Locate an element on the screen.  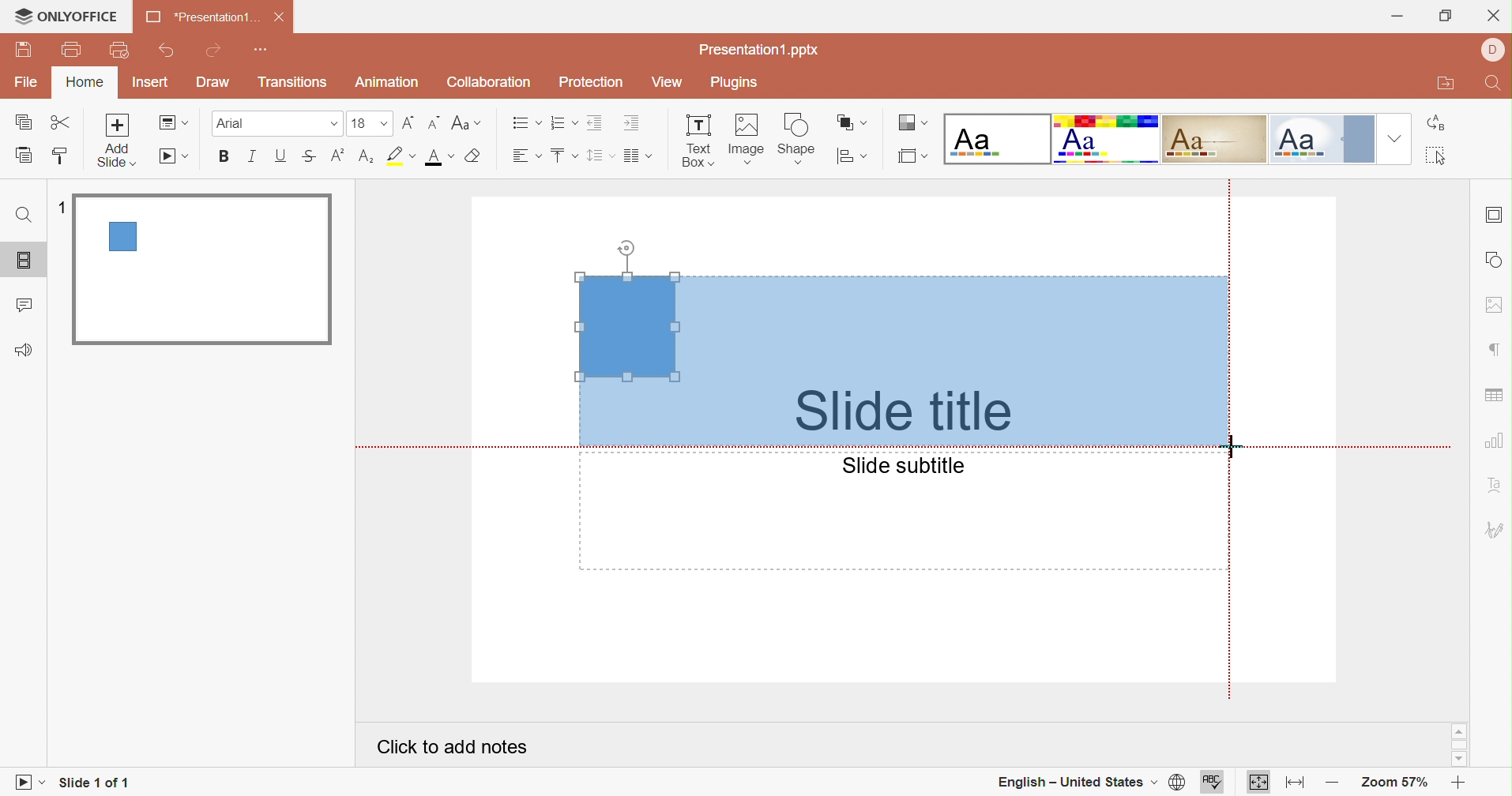
Zoom 57% is located at coordinates (1396, 784).